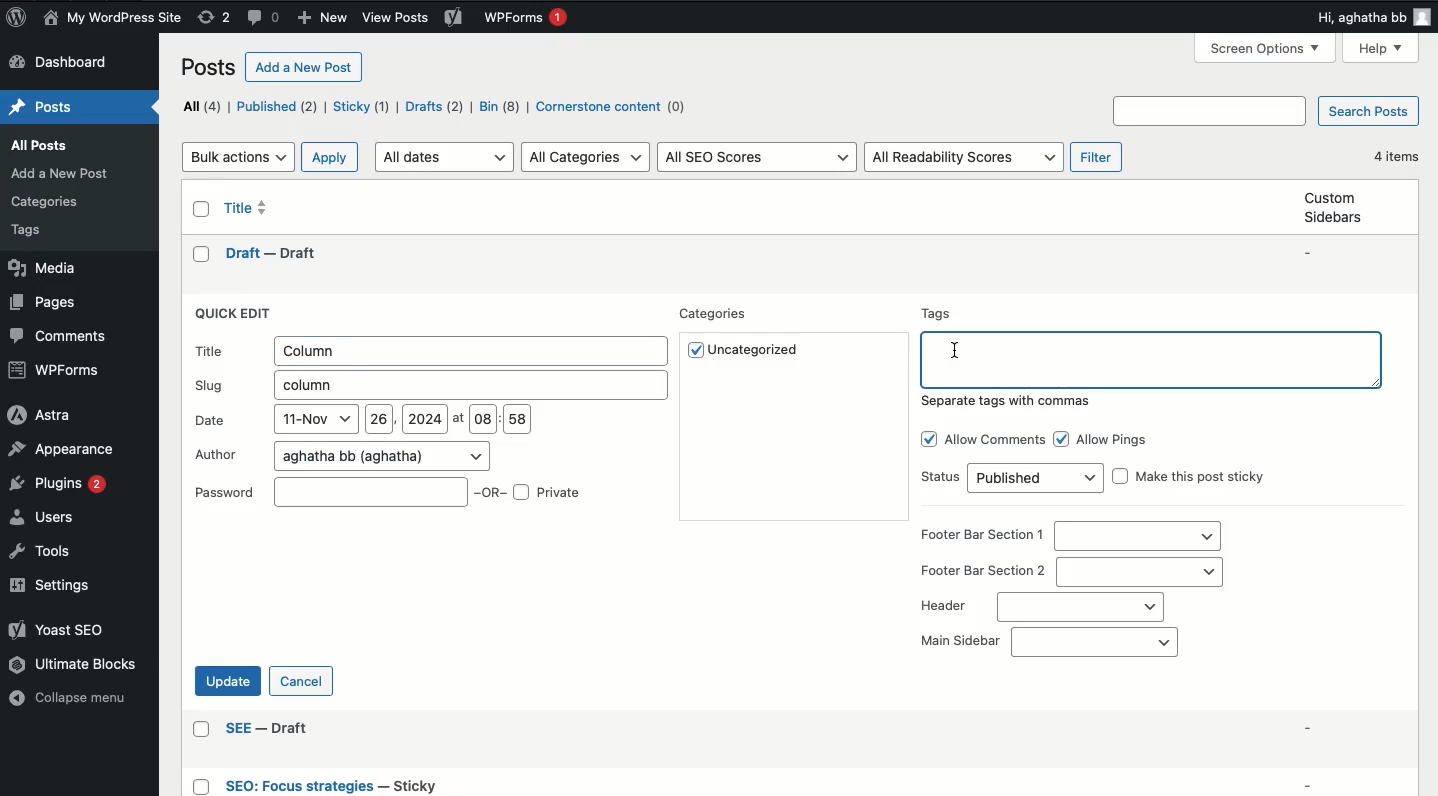 The height and width of the screenshot is (796, 1438). What do you see at coordinates (57, 370) in the screenshot?
I see `WPForms` at bounding box center [57, 370].